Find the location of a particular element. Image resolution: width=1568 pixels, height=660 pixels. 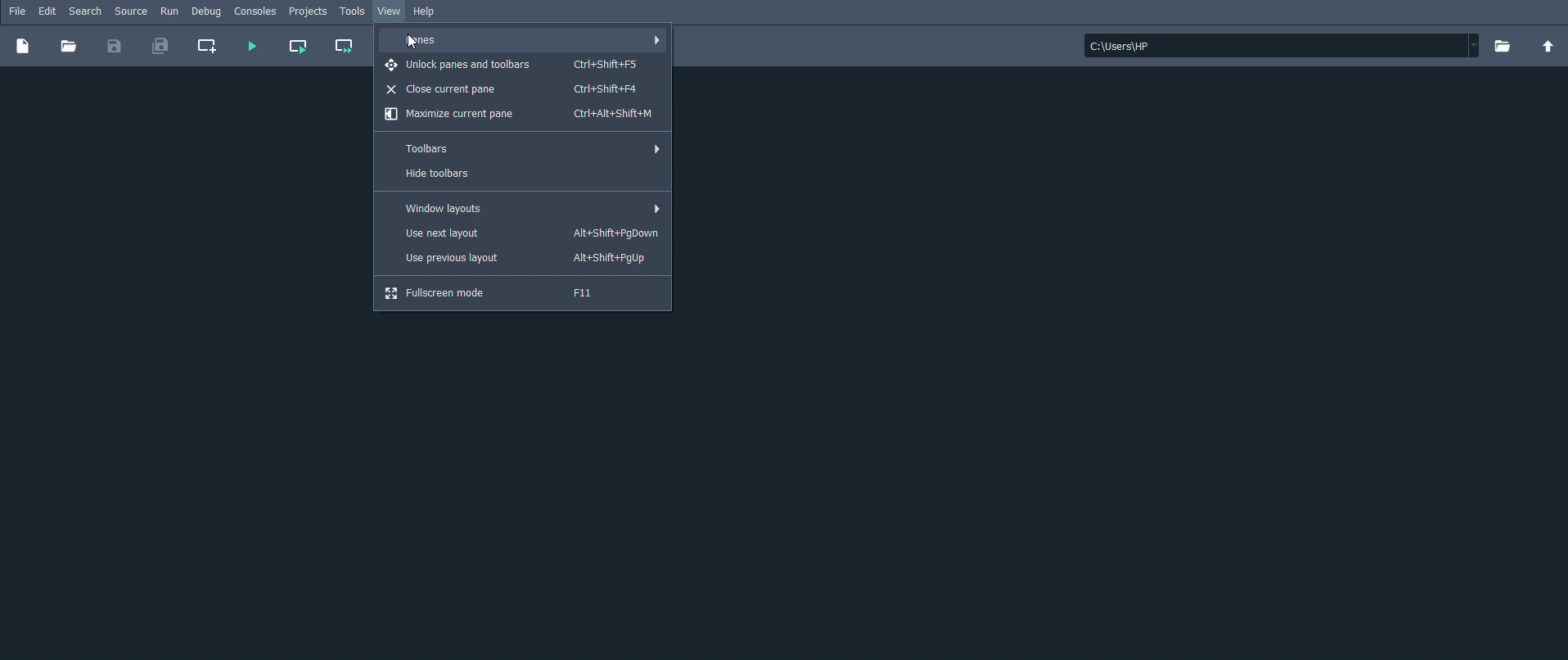

Open file is located at coordinates (69, 47).